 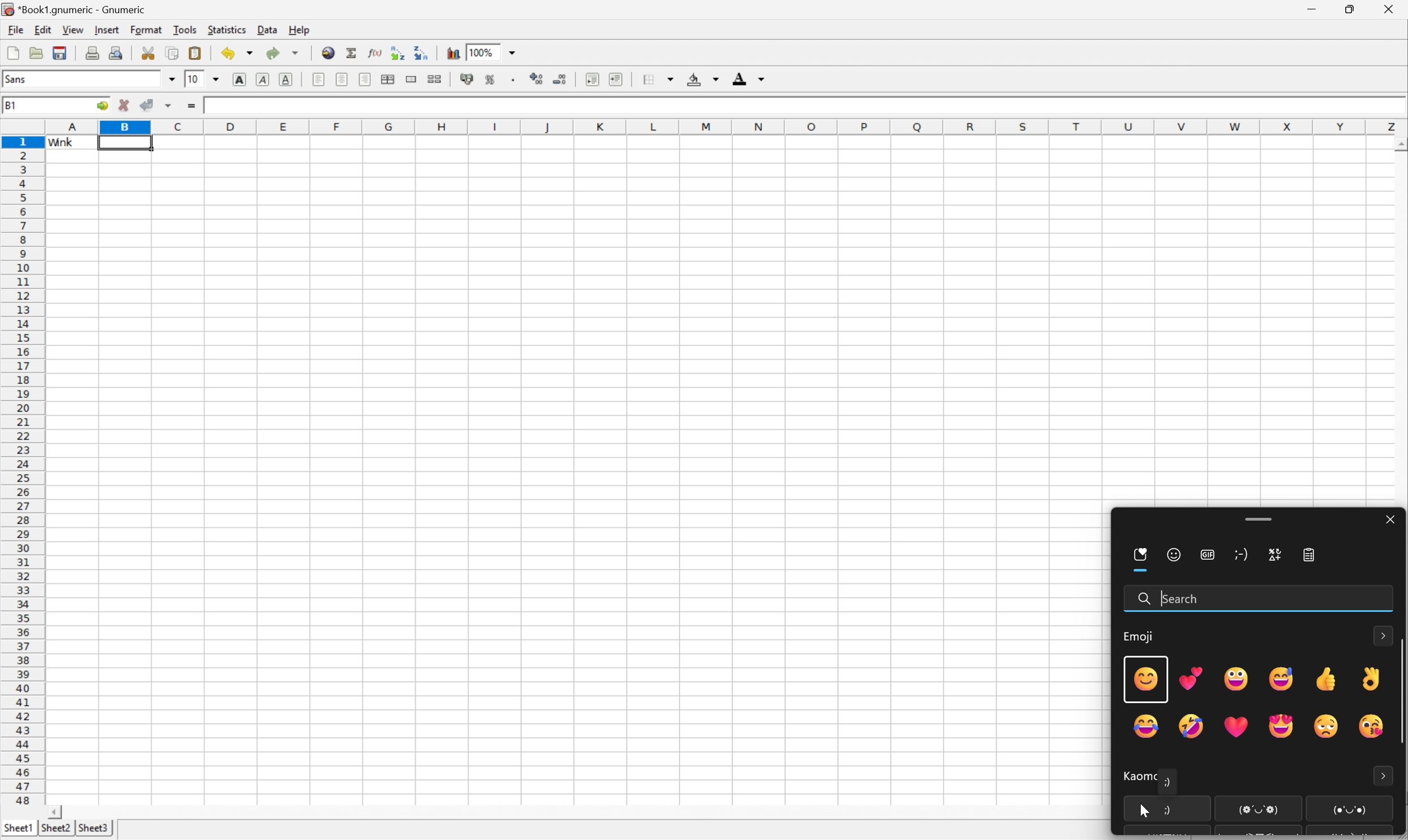 I want to click on sum in current cell, so click(x=351, y=52).